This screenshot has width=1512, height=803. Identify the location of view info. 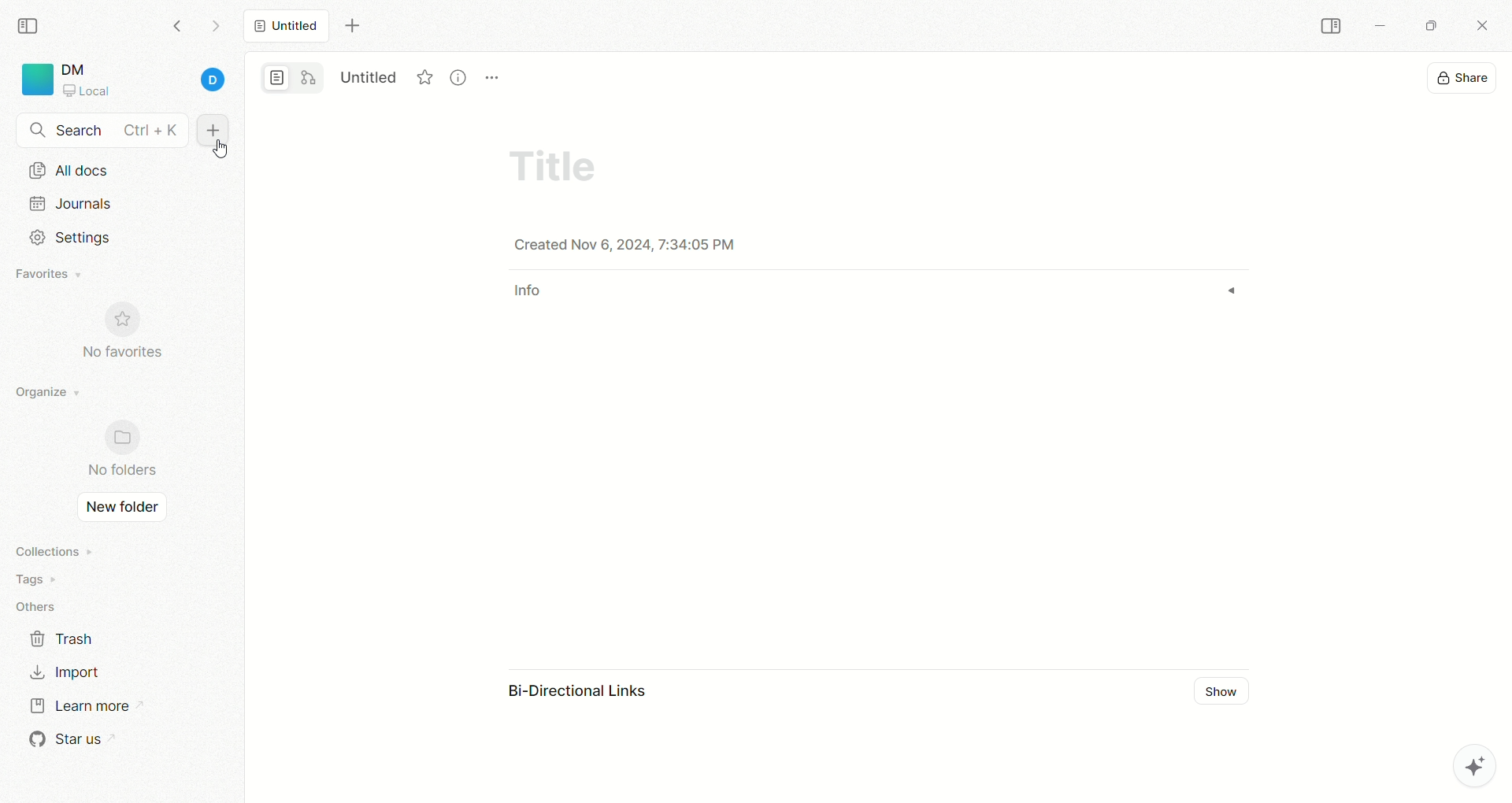
(461, 77).